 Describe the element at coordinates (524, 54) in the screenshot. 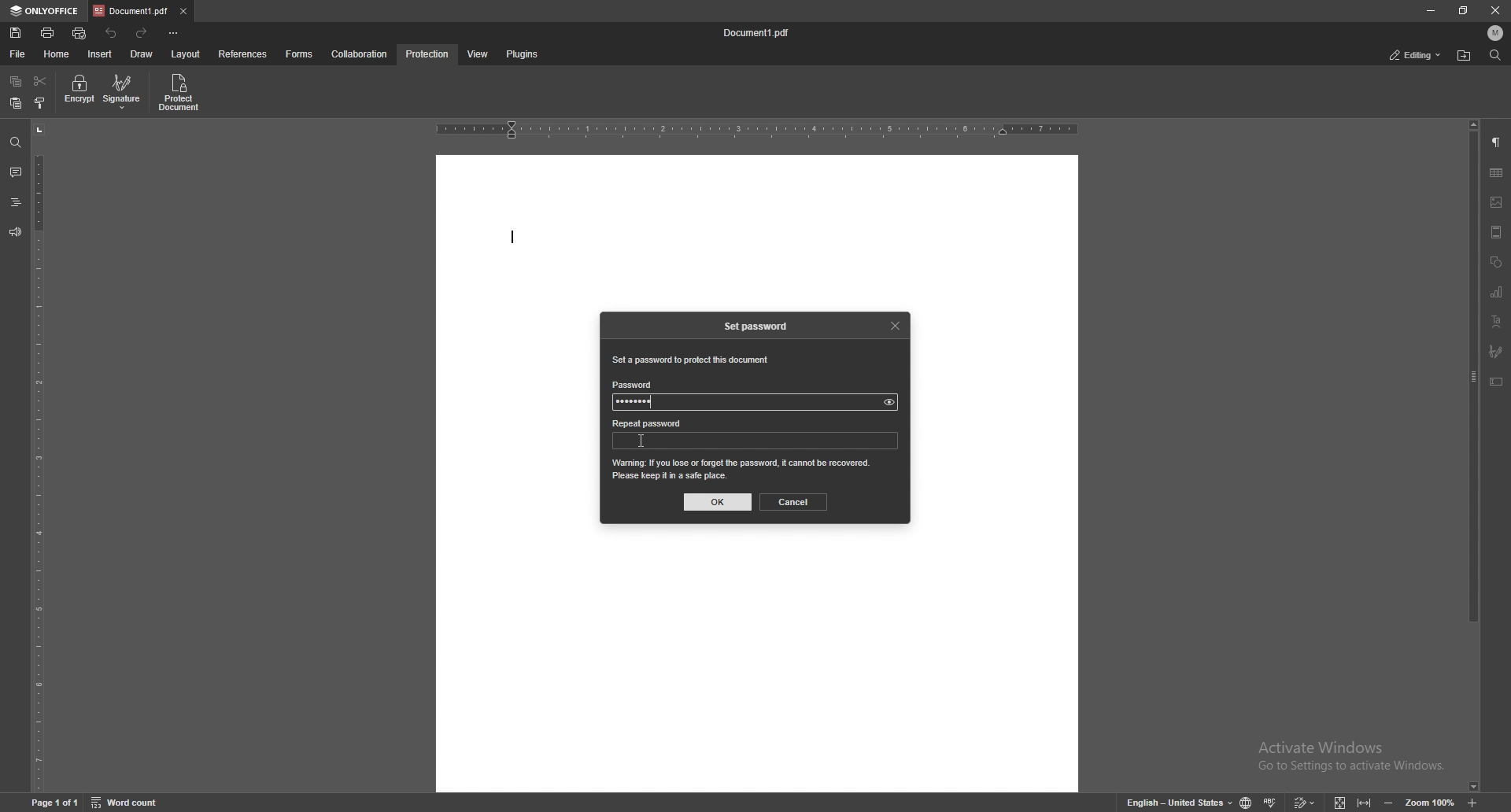

I see `plugins` at that location.